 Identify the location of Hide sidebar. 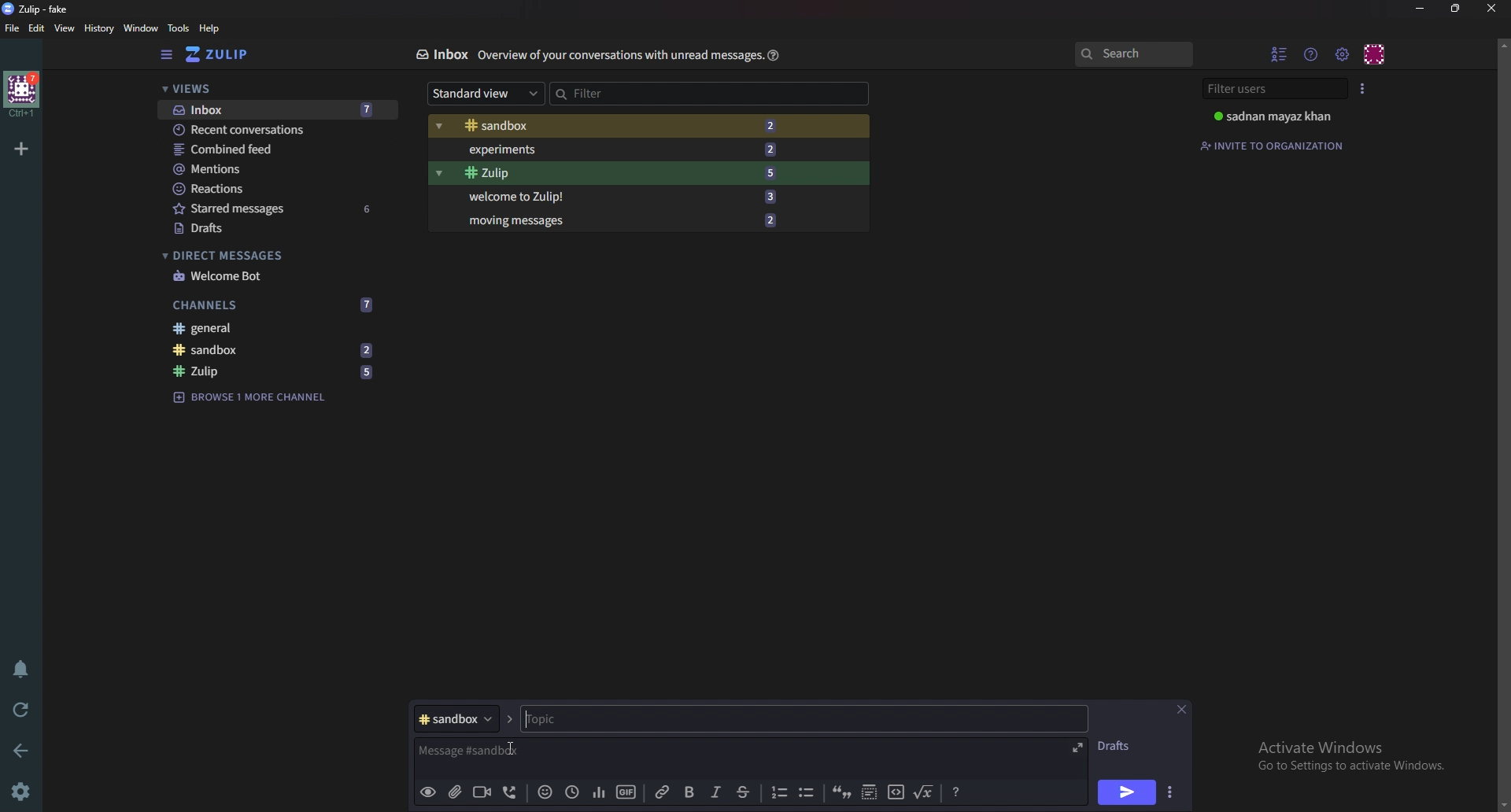
(168, 54).